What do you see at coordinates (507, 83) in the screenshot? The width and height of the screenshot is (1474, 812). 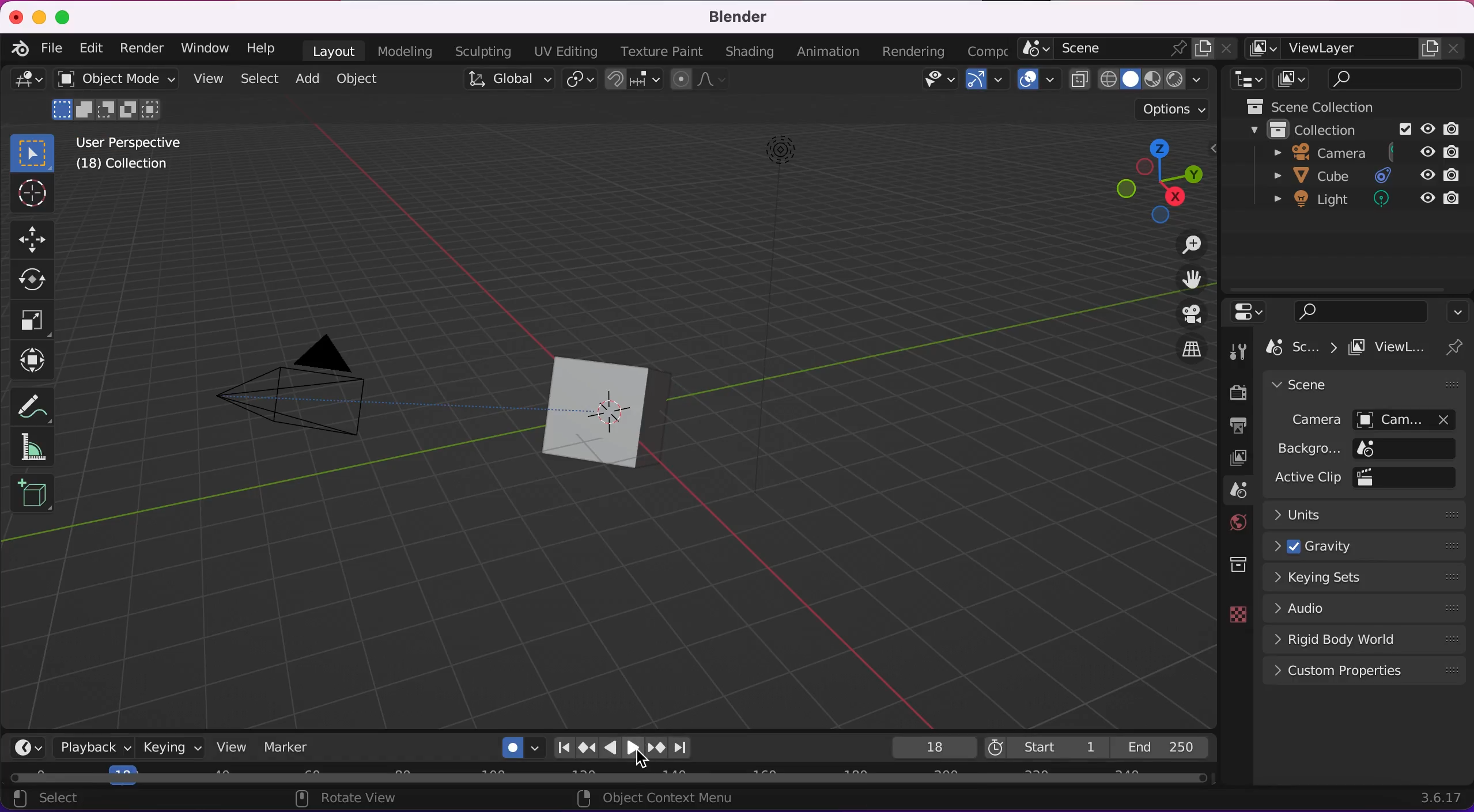 I see `global` at bounding box center [507, 83].